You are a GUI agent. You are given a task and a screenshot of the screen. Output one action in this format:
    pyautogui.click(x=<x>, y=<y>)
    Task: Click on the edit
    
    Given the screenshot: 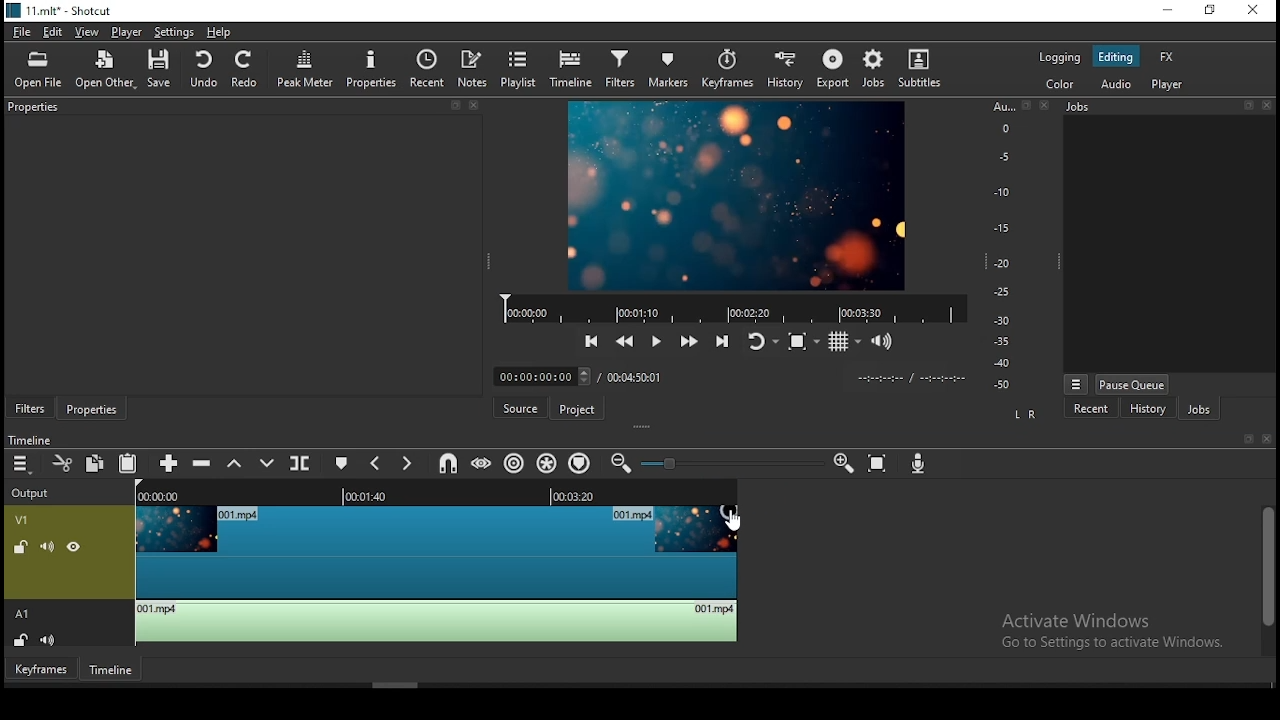 What is the action you would take?
    pyautogui.click(x=54, y=32)
    